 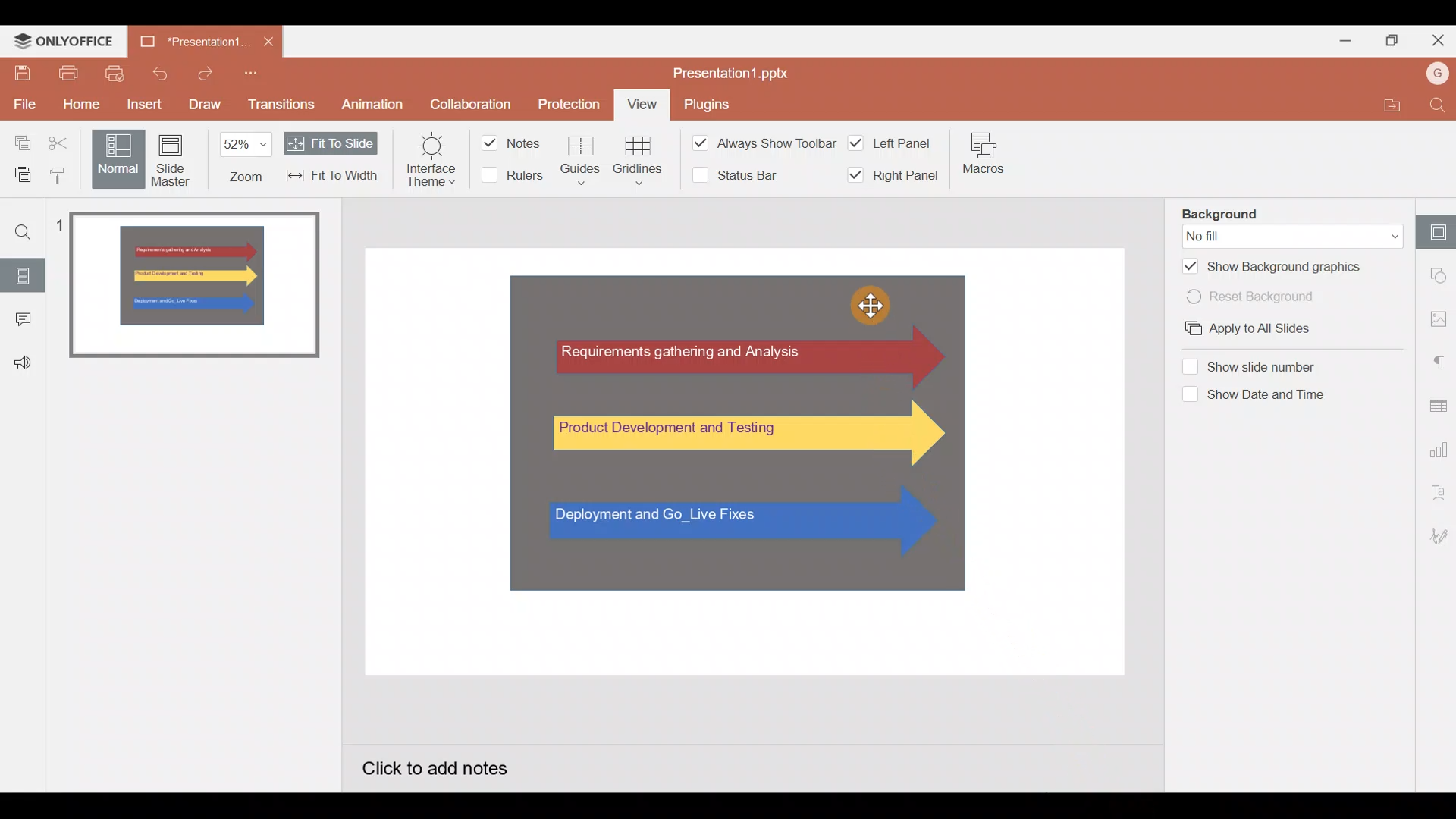 I want to click on Show date and time, so click(x=1263, y=395).